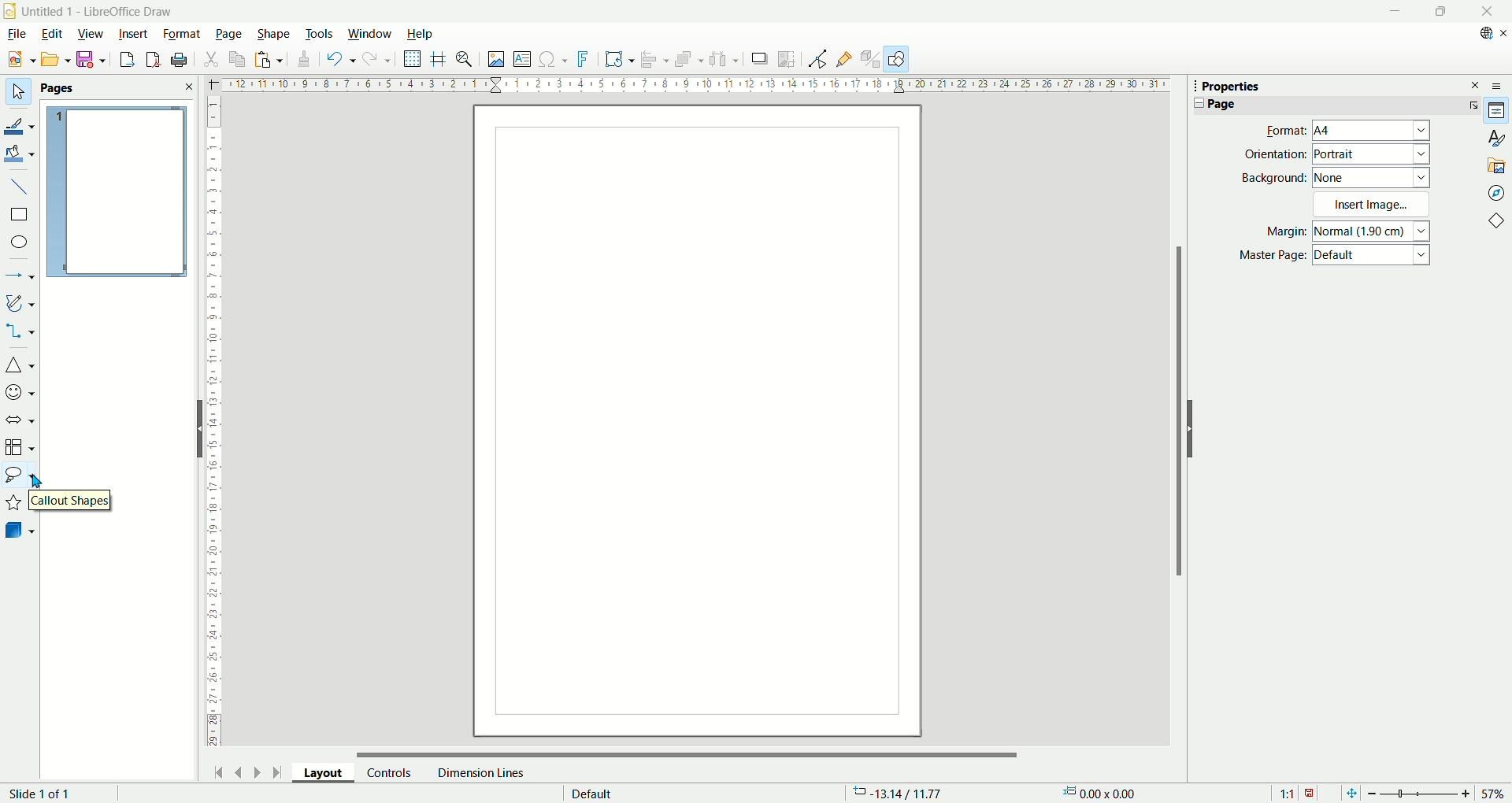  Describe the element at coordinates (43, 794) in the screenshot. I see `slide number` at that location.